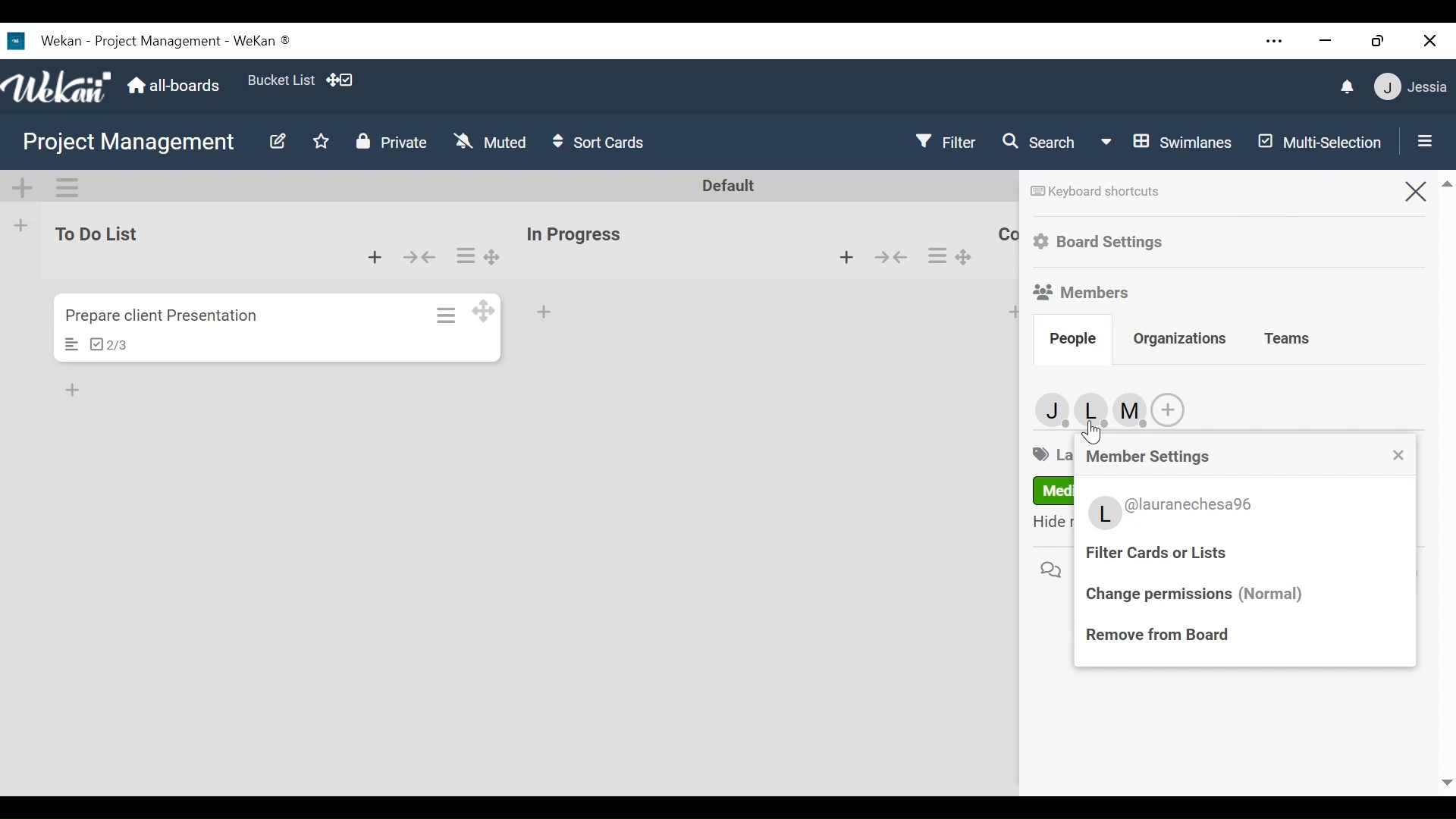 The image size is (1456, 819). What do you see at coordinates (66, 187) in the screenshot?
I see `Swimlane actions` at bounding box center [66, 187].